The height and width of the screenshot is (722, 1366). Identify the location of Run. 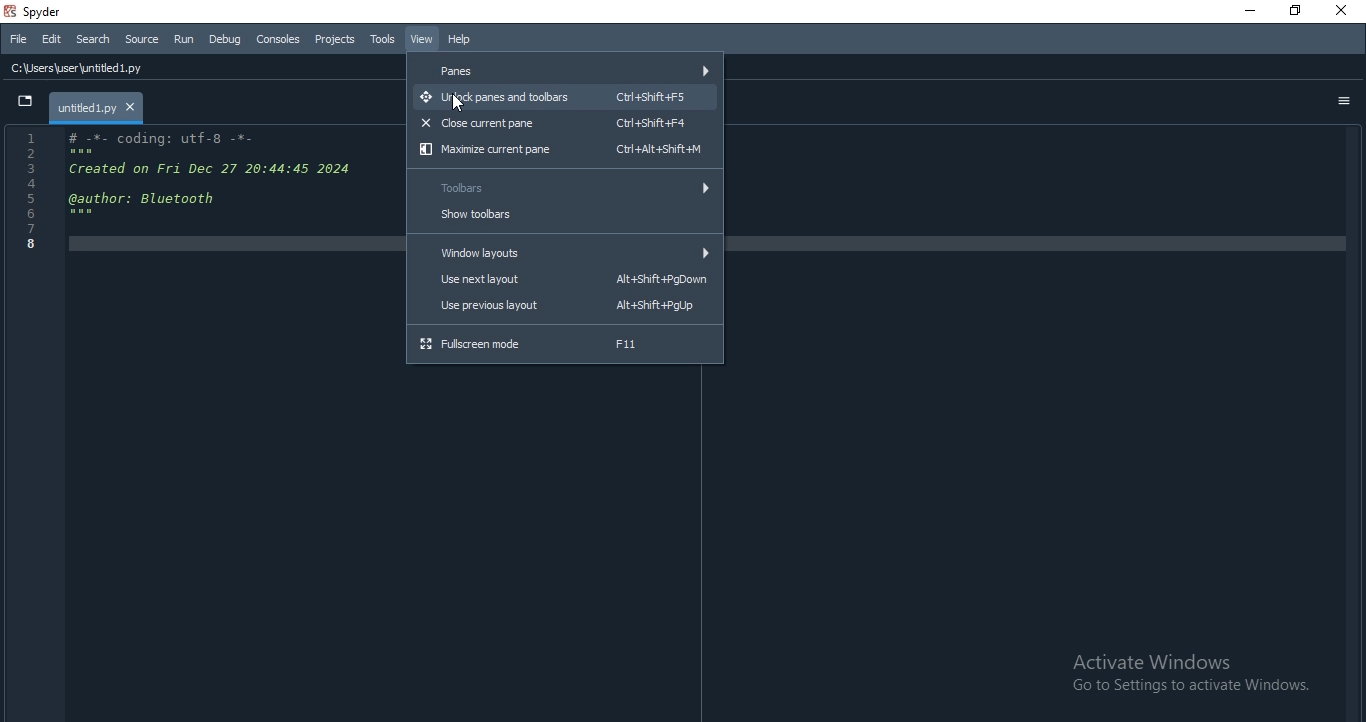
(184, 39).